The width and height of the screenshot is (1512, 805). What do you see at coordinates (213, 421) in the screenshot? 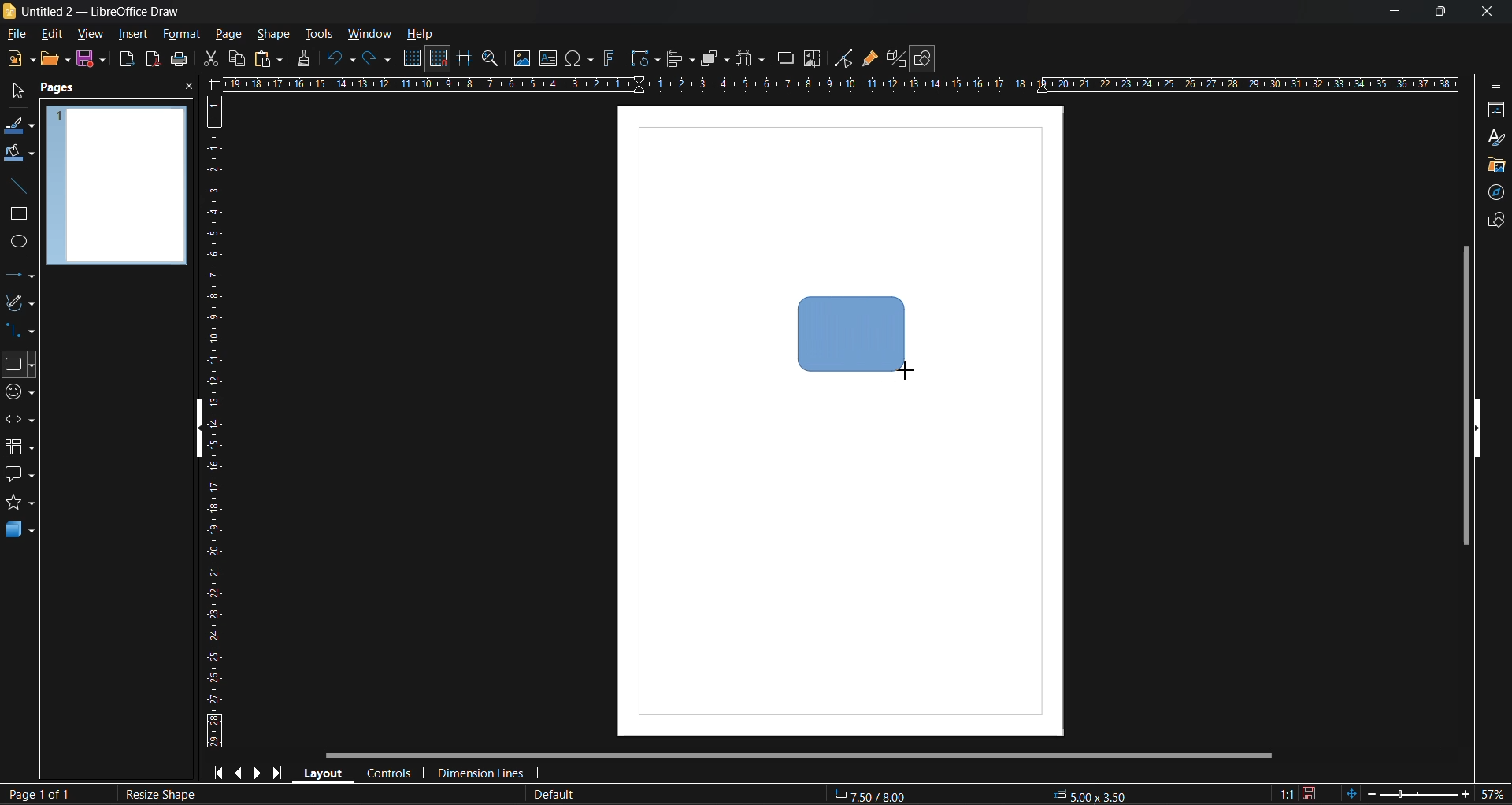
I see `vertical scale` at bounding box center [213, 421].